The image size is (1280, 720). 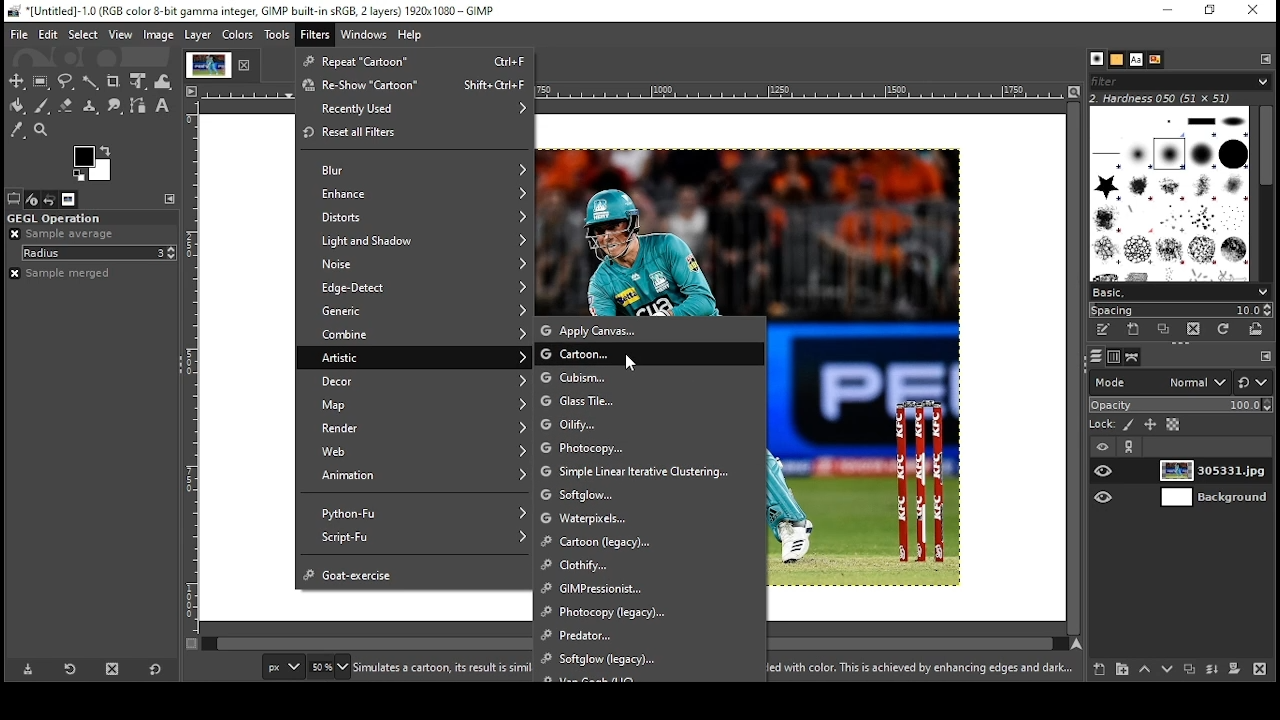 I want to click on hardness 050, so click(x=1175, y=98).